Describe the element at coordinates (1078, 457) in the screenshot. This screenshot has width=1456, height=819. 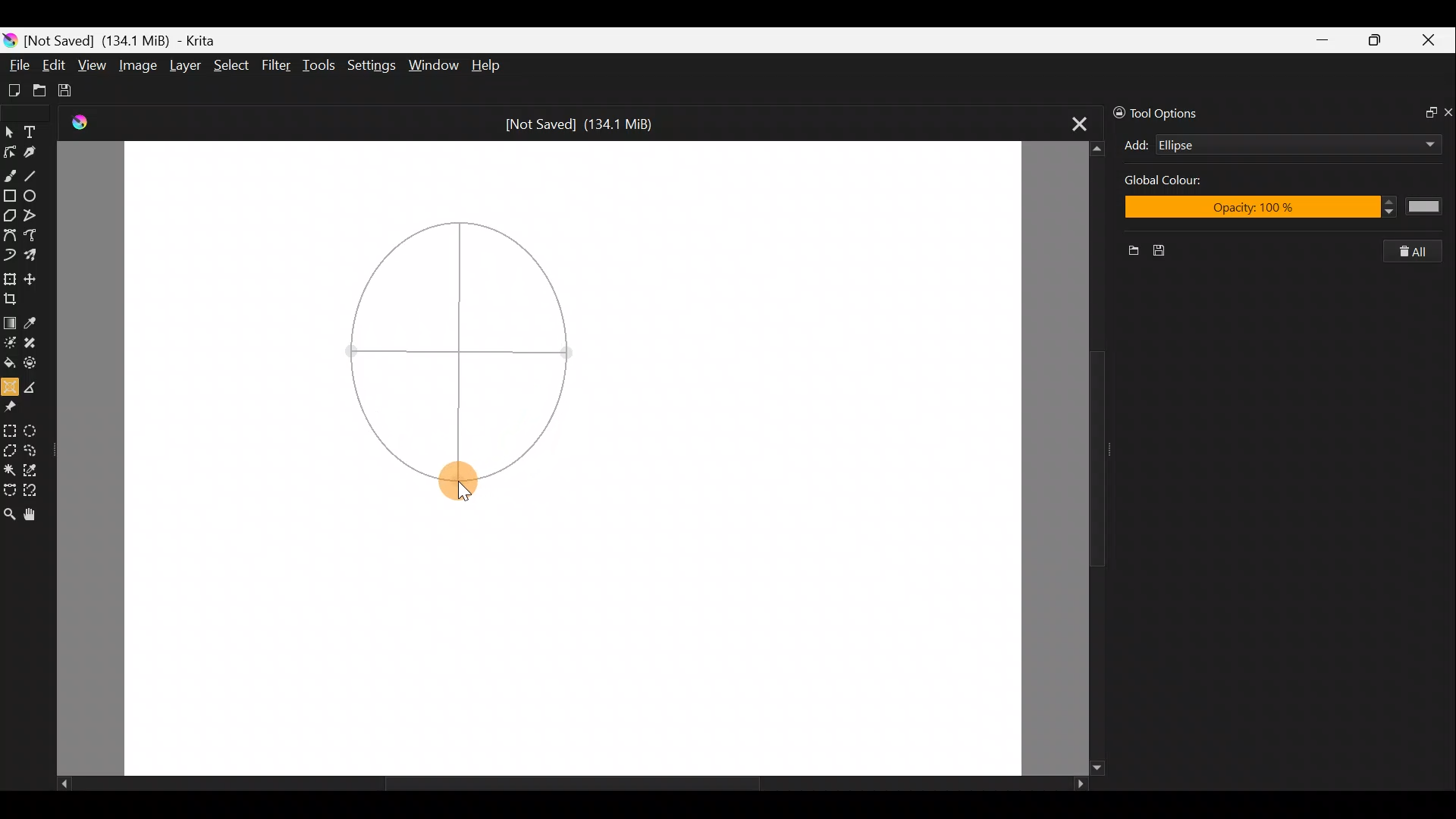
I see `Scroll bar` at that location.